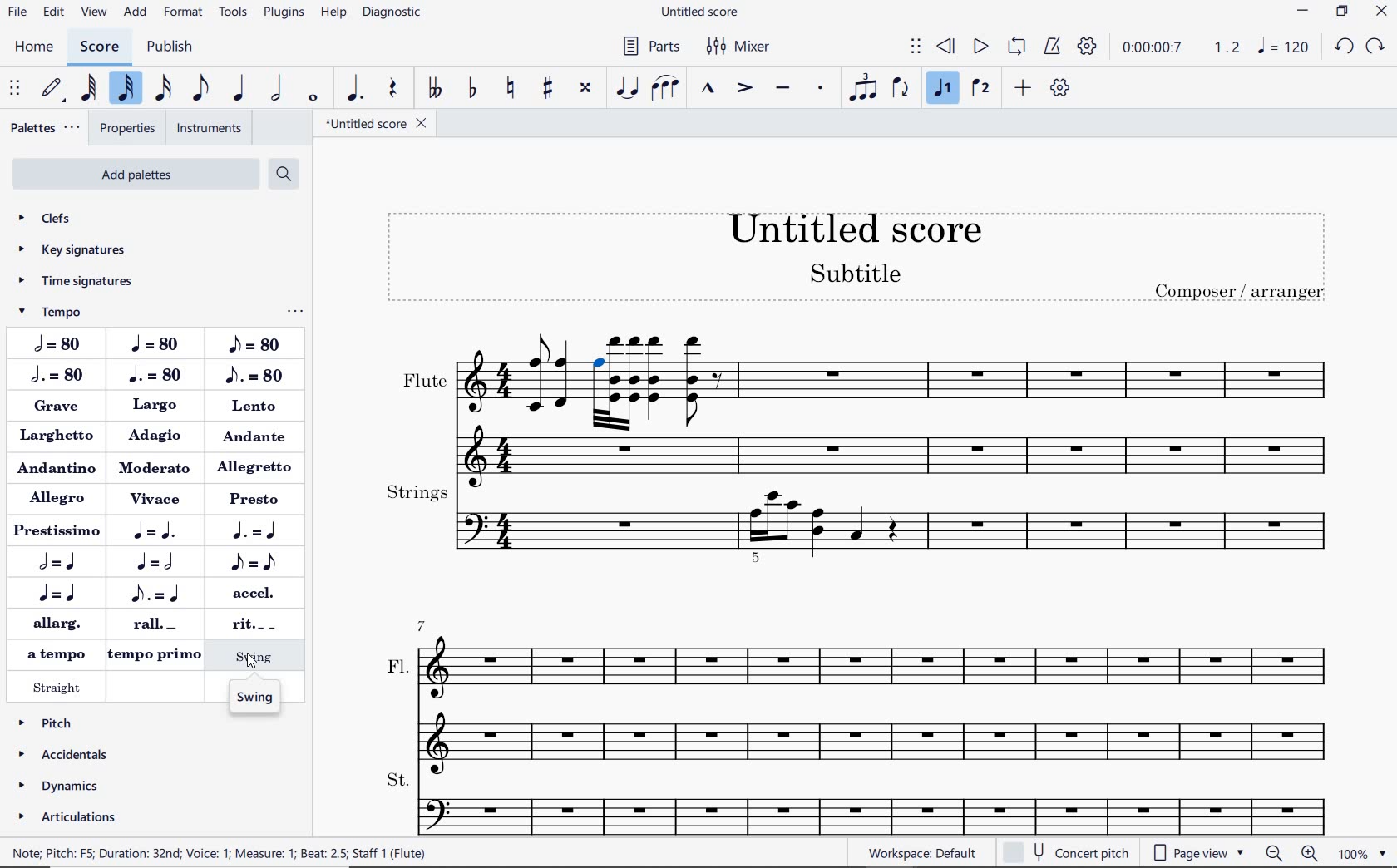 This screenshot has width=1397, height=868. Describe the element at coordinates (512, 89) in the screenshot. I see `TOGGLE NATURAL` at that location.